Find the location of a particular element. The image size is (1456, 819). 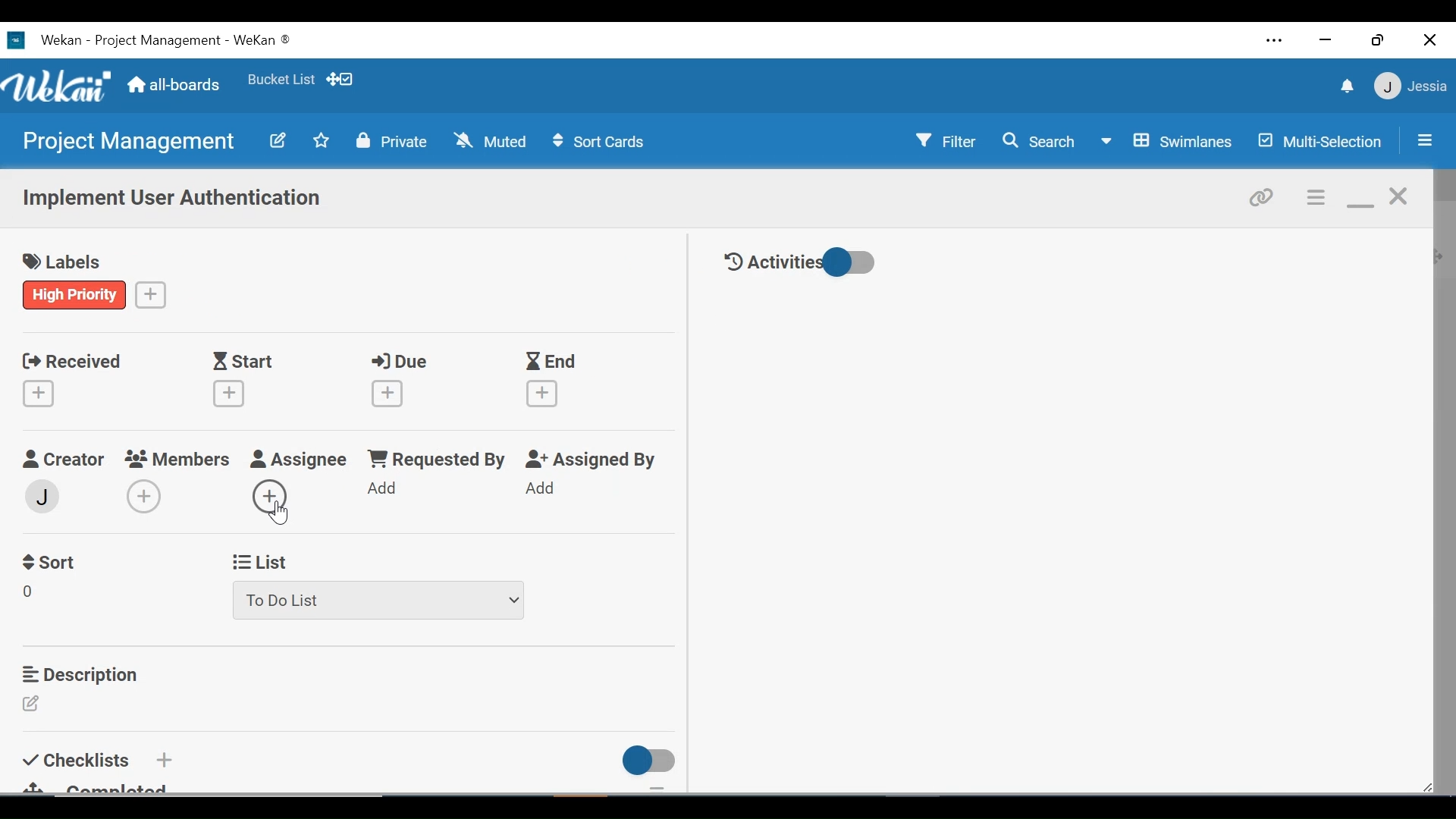

Favorites is located at coordinates (322, 140).